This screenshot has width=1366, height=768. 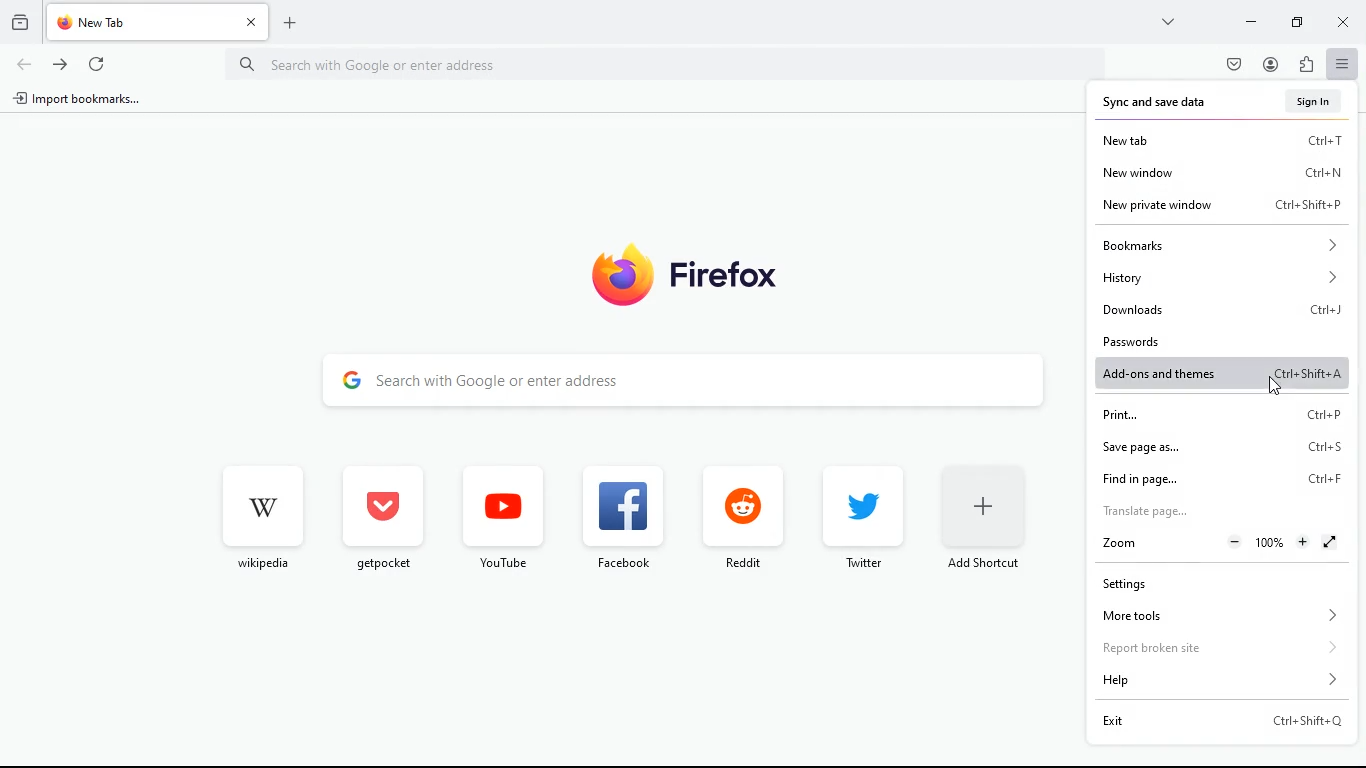 I want to click on forward, so click(x=61, y=66).